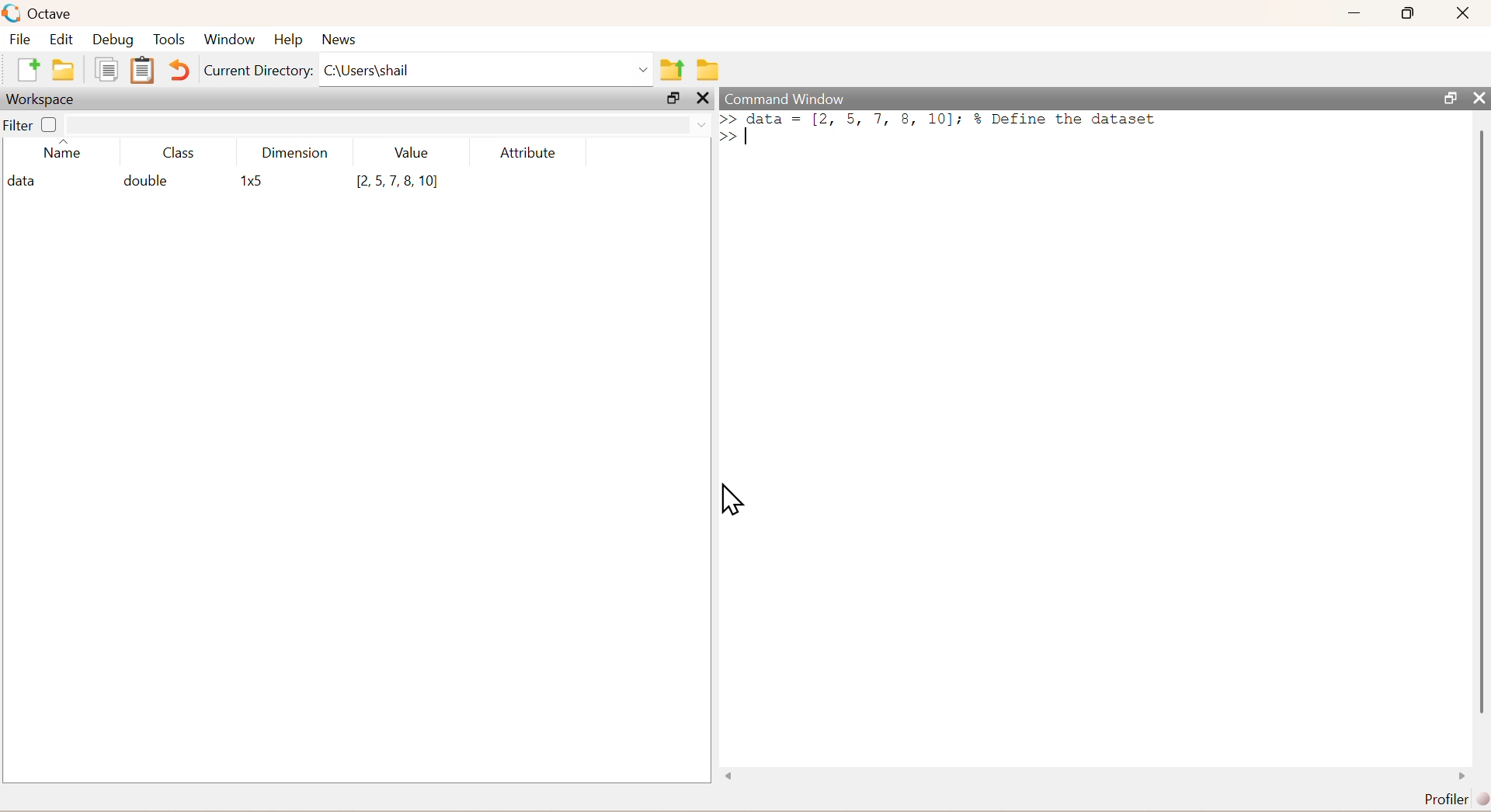 The height and width of the screenshot is (812, 1491). I want to click on Drop-down , so click(645, 70).